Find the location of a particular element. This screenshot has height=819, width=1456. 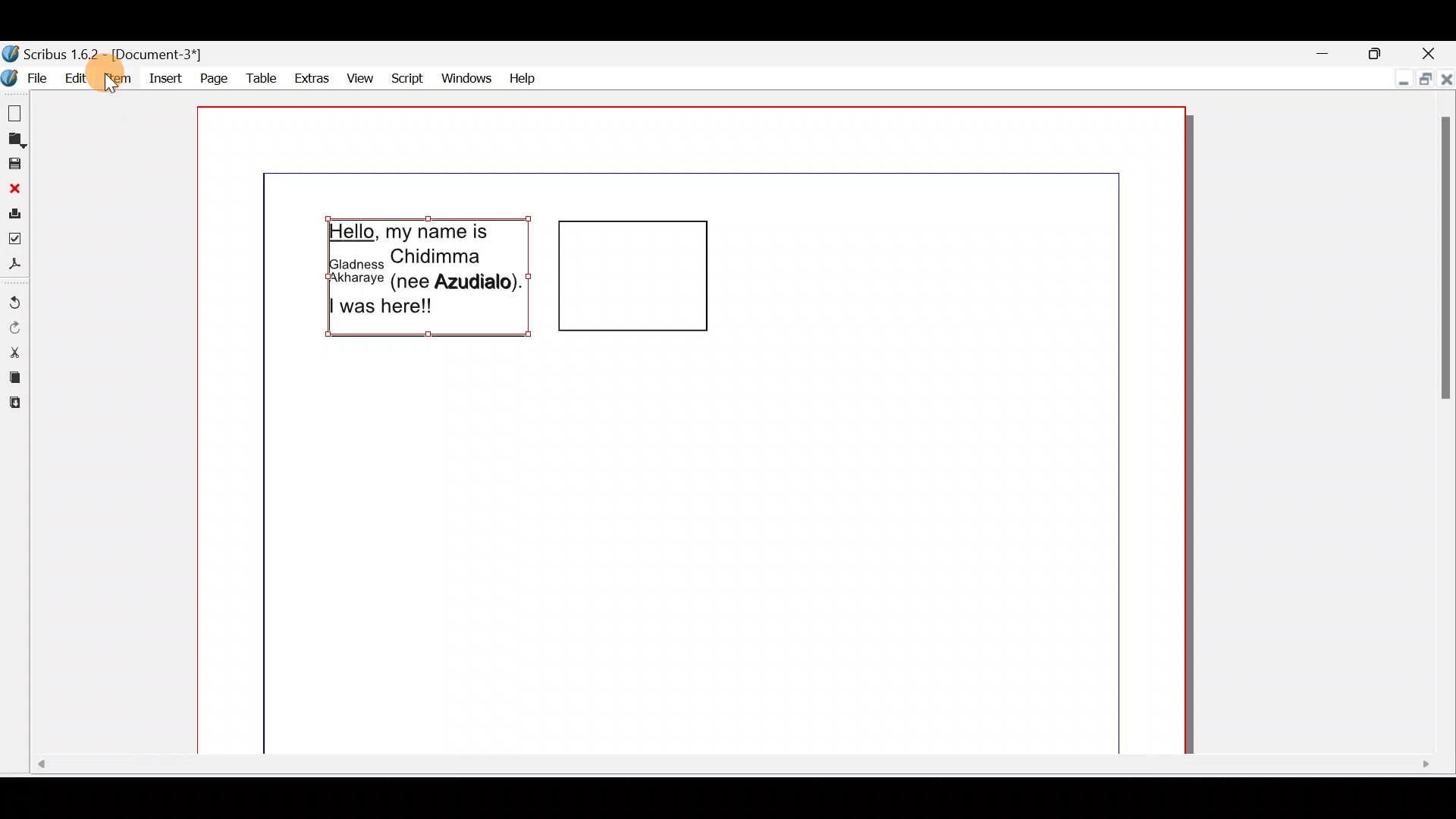

Open is located at coordinates (15, 140).